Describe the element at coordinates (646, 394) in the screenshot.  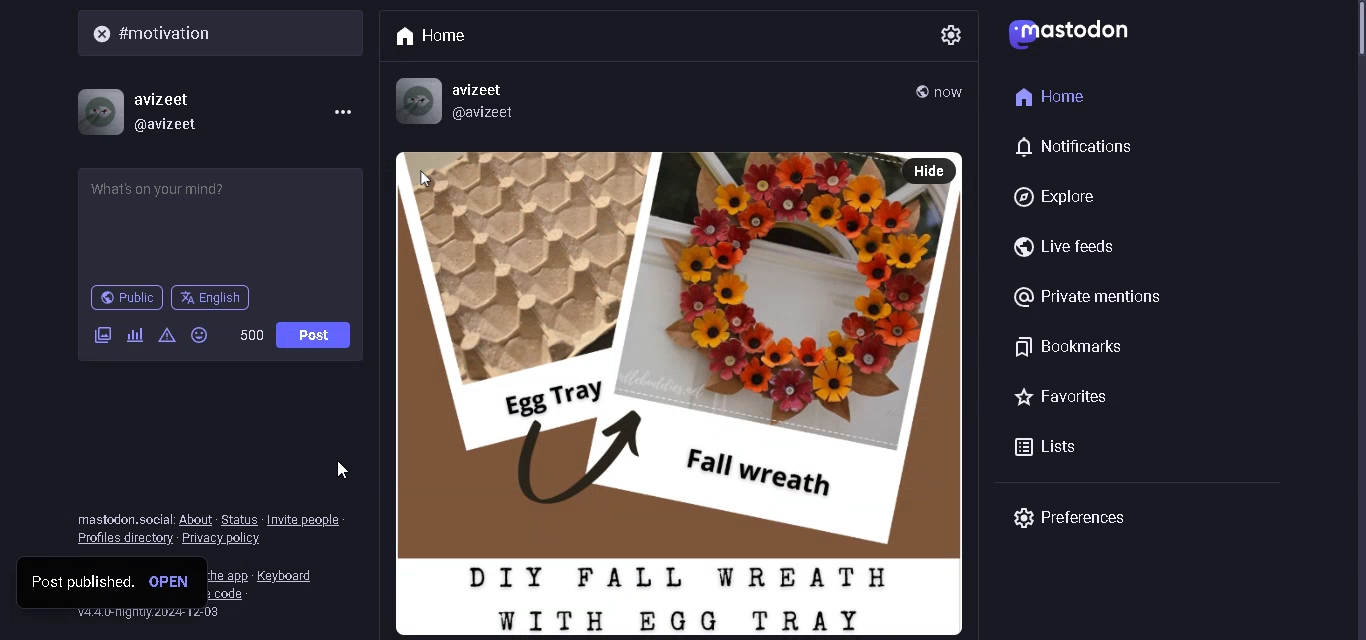
I see `my recent DIY craft picture` at that location.